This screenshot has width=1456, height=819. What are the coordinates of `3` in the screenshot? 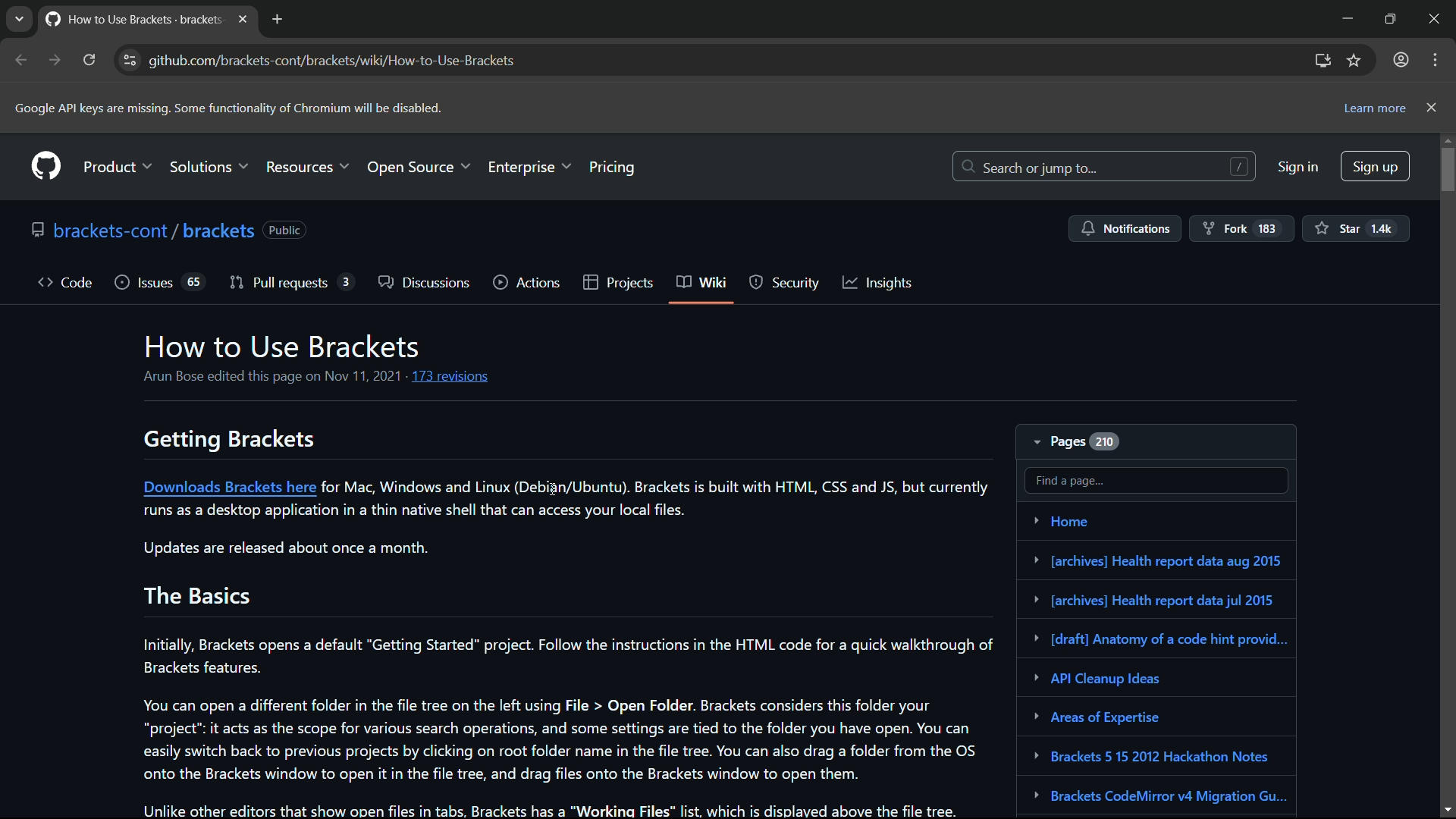 It's located at (347, 281).